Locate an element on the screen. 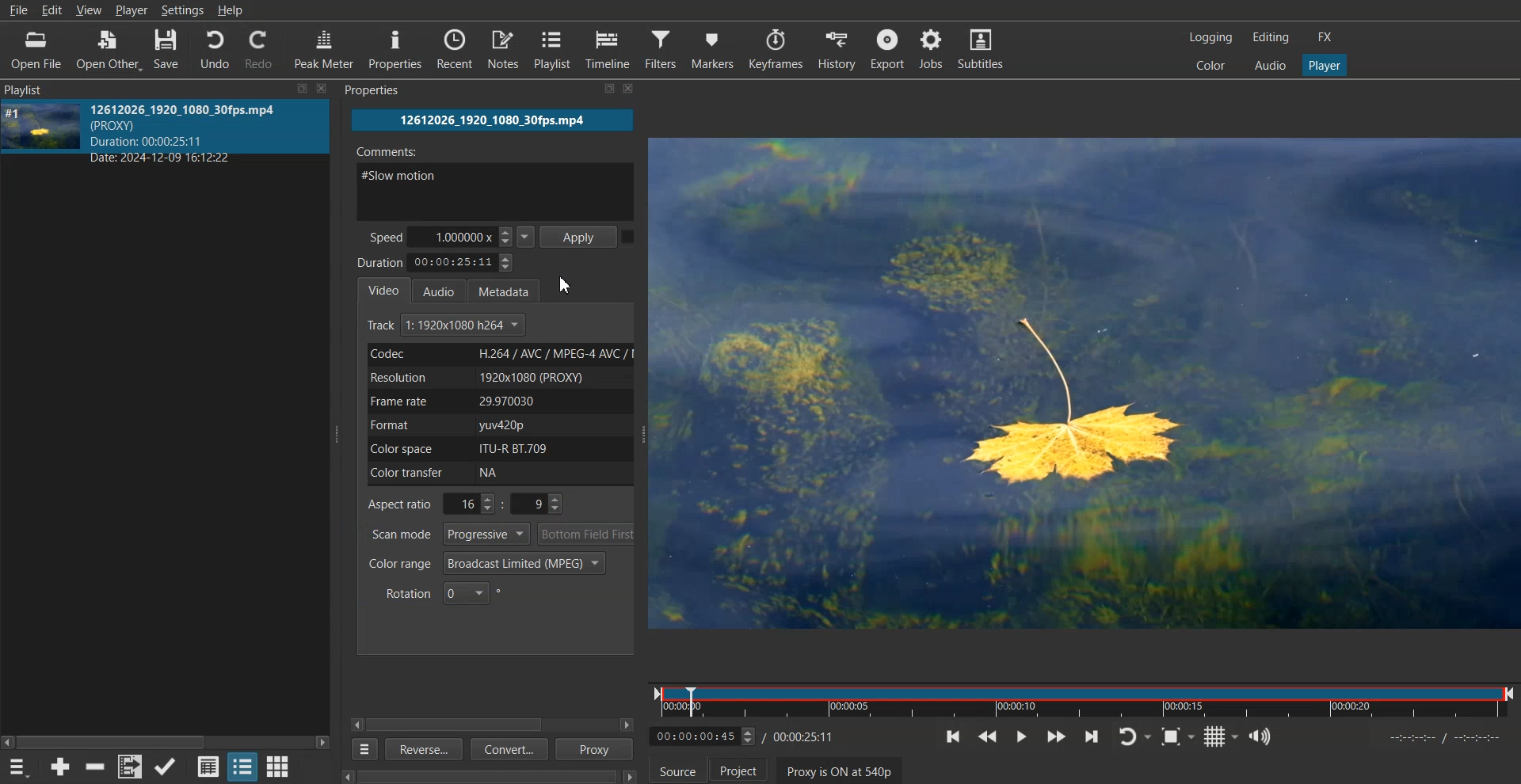 The width and height of the screenshot is (1521, 784). Project is located at coordinates (738, 769).